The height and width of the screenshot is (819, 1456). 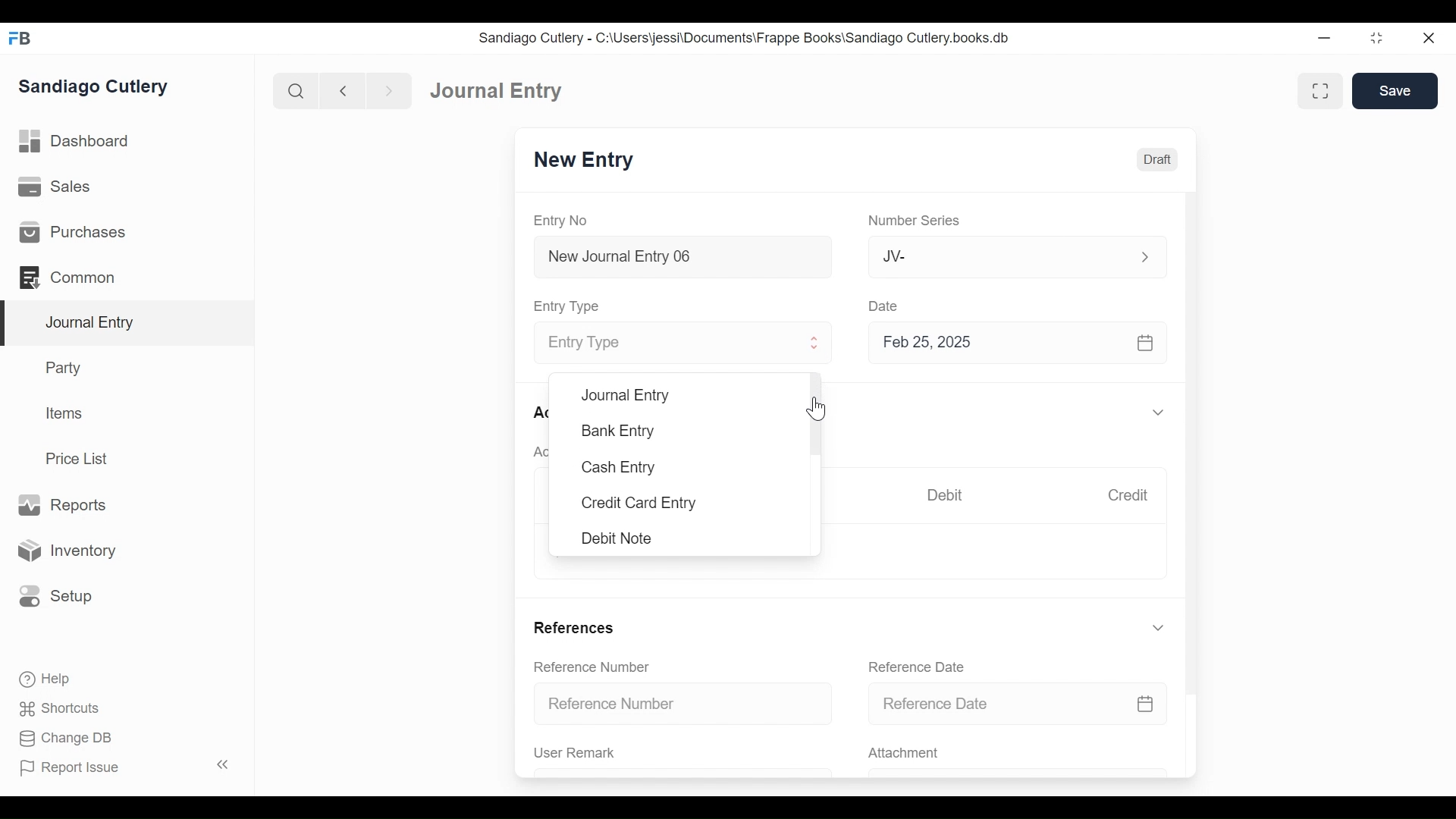 I want to click on Expand, so click(x=1145, y=257).